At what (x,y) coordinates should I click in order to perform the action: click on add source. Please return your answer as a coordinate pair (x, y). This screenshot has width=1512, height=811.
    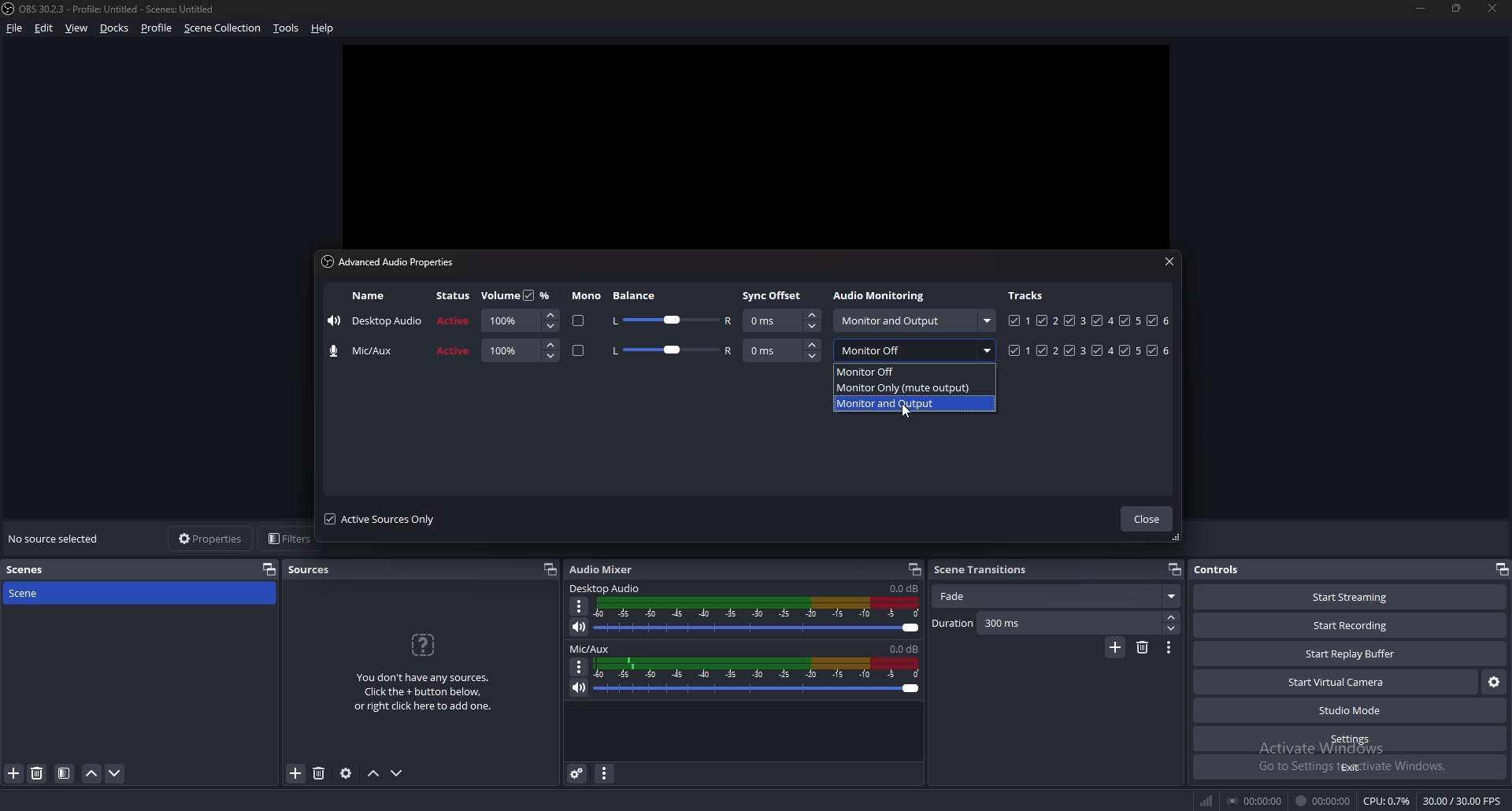
    Looking at the image, I should click on (296, 773).